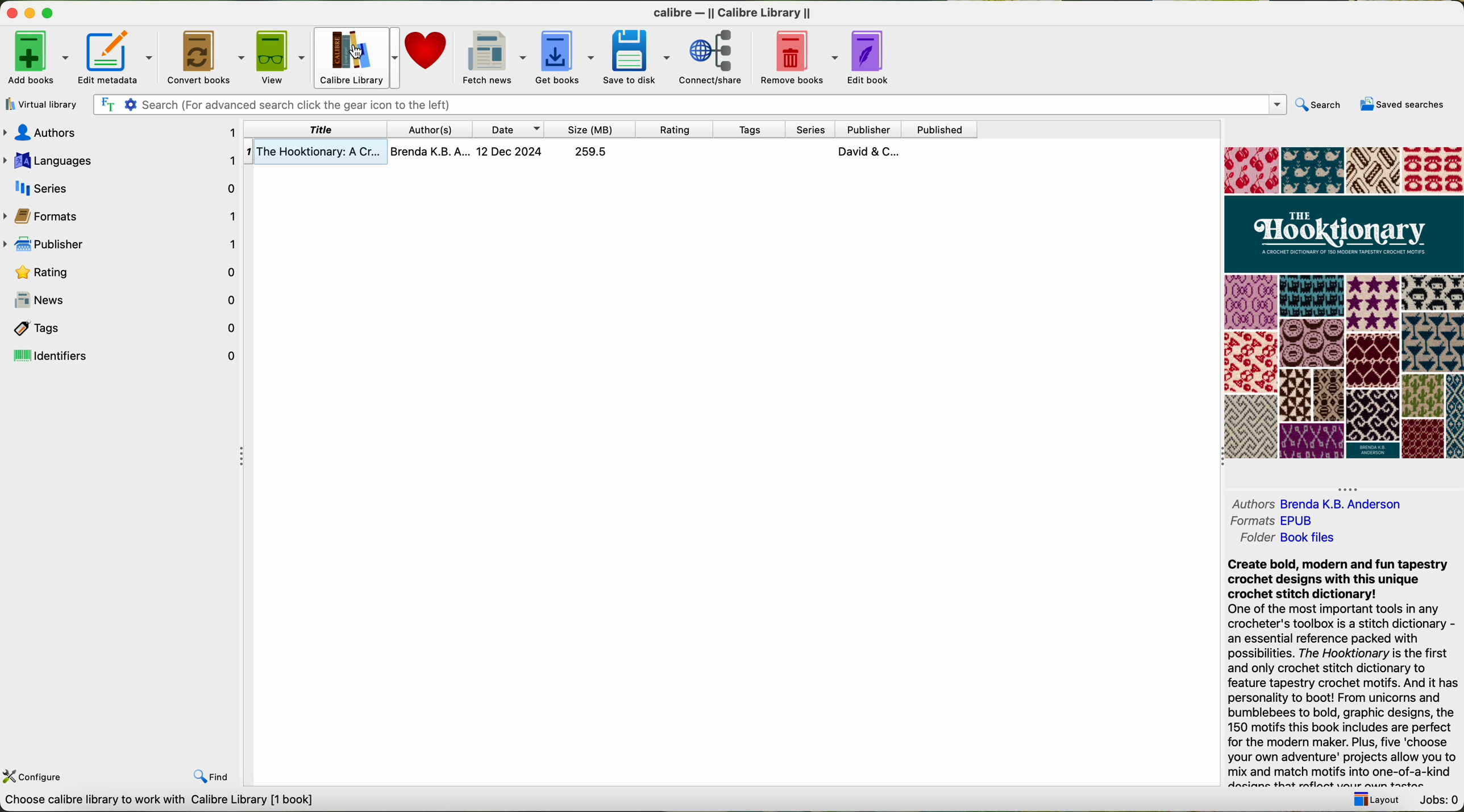  What do you see at coordinates (1290, 540) in the screenshot?
I see `folder Book files` at bounding box center [1290, 540].